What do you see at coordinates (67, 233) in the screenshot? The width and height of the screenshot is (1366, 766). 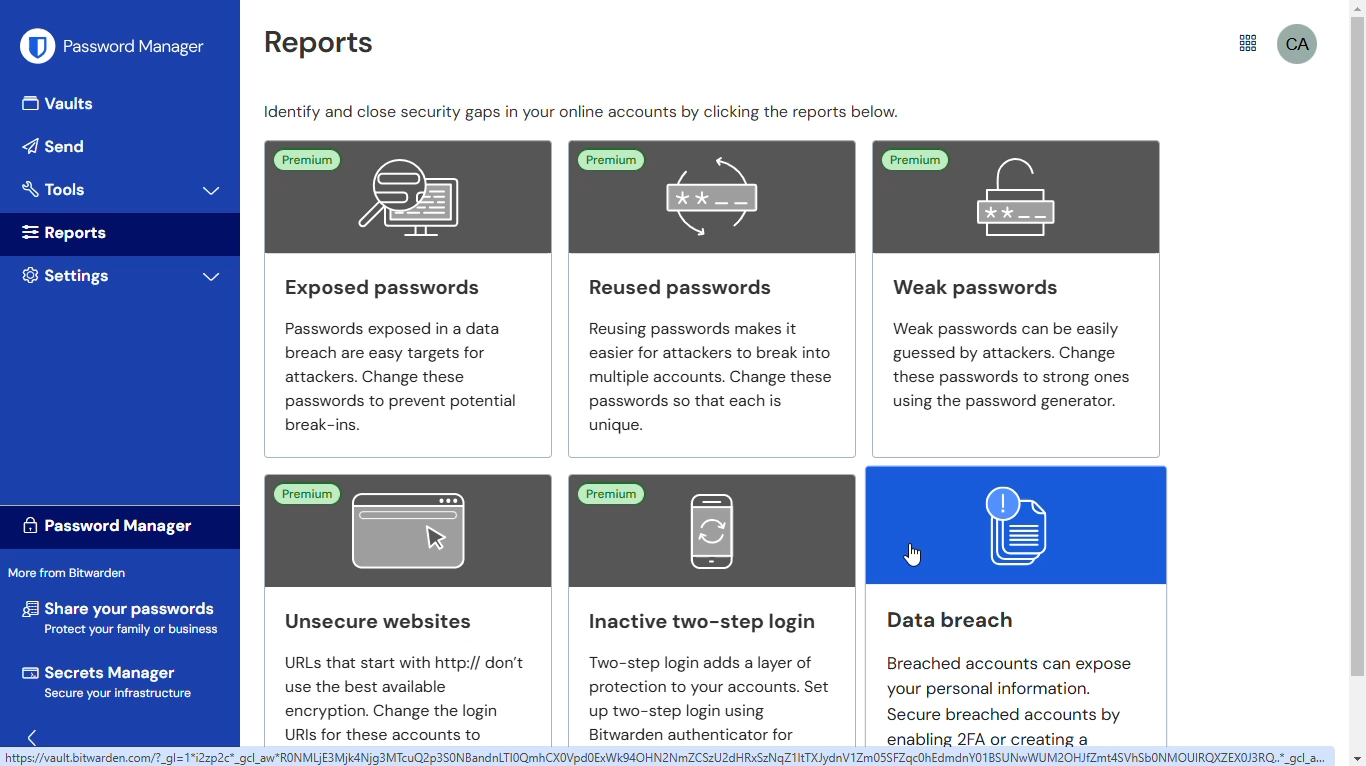 I see `reports` at bounding box center [67, 233].